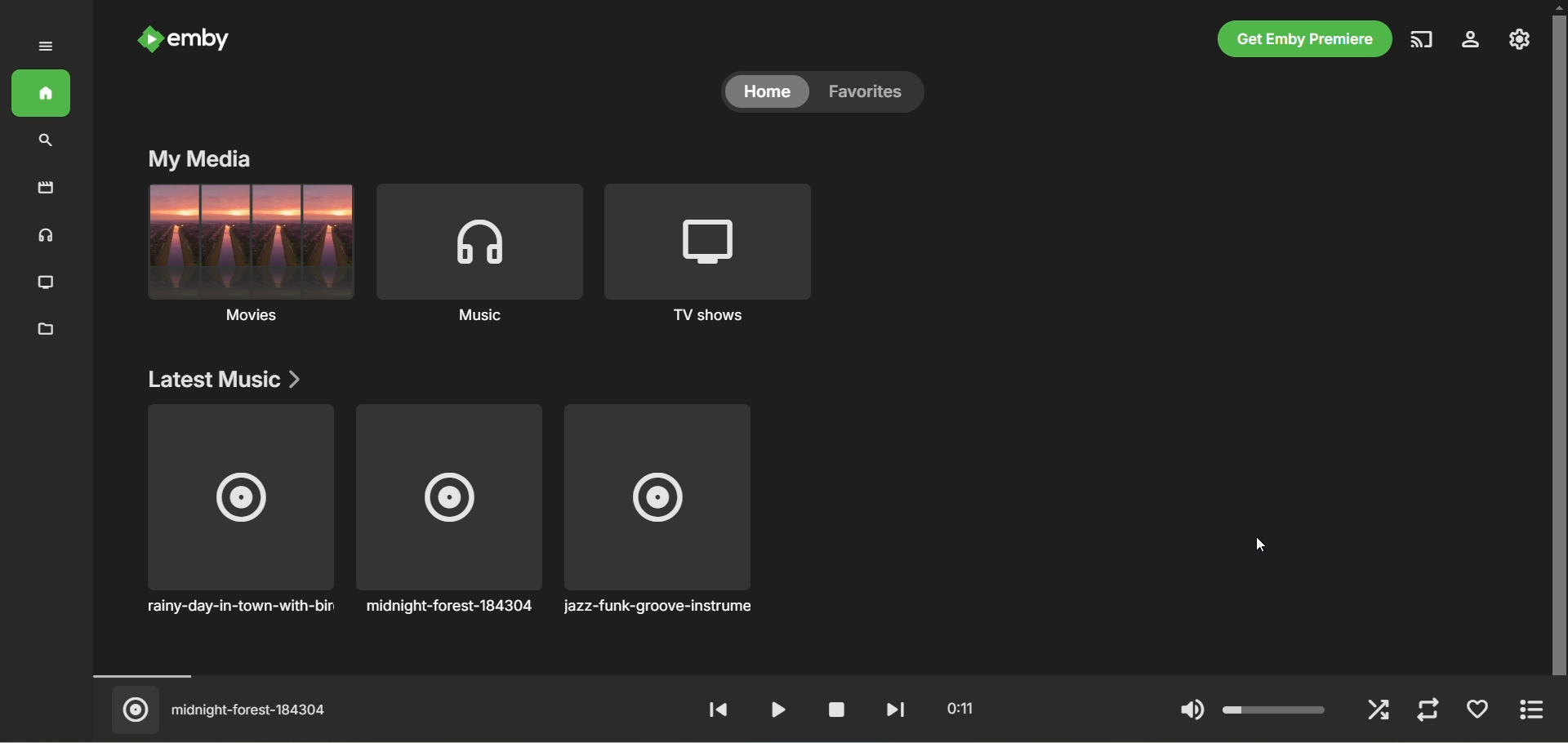 This screenshot has width=1568, height=743. What do you see at coordinates (1520, 39) in the screenshot?
I see `manage emby server` at bounding box center [1520, 39].